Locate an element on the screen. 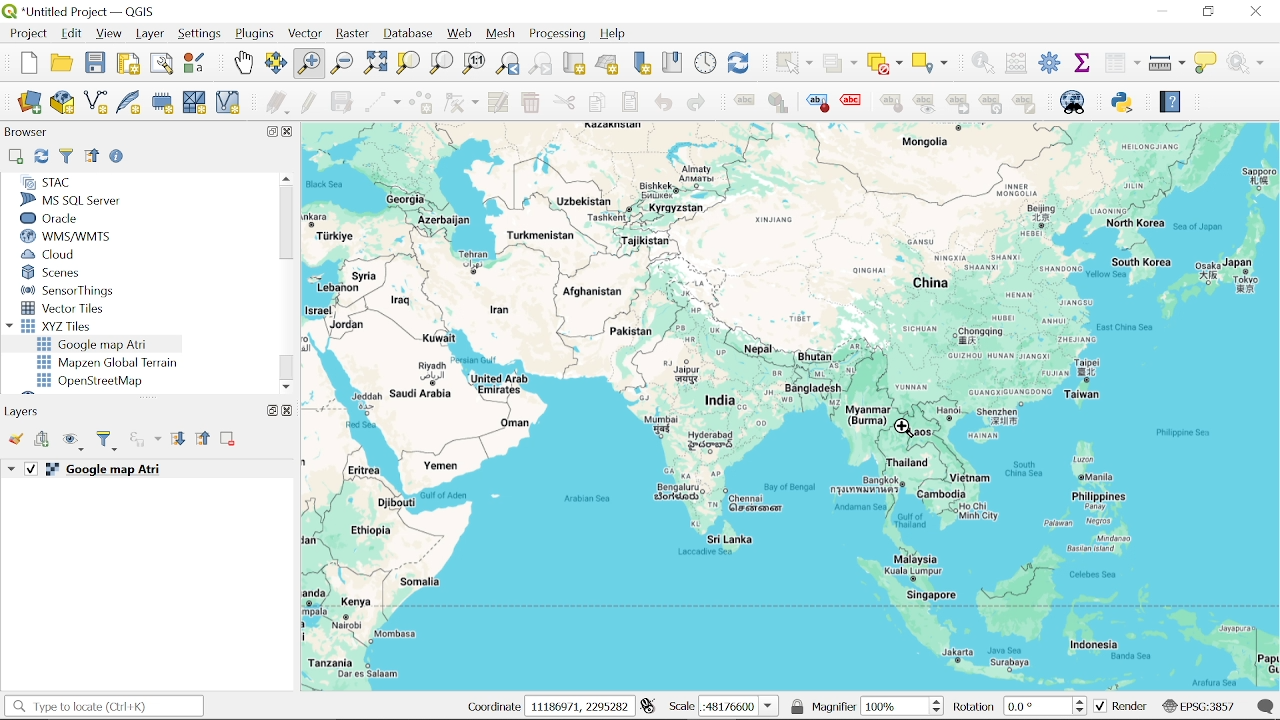 This screenshot has width=1280, height=720. OpenStreetMap is located at coordinates (93, 381).